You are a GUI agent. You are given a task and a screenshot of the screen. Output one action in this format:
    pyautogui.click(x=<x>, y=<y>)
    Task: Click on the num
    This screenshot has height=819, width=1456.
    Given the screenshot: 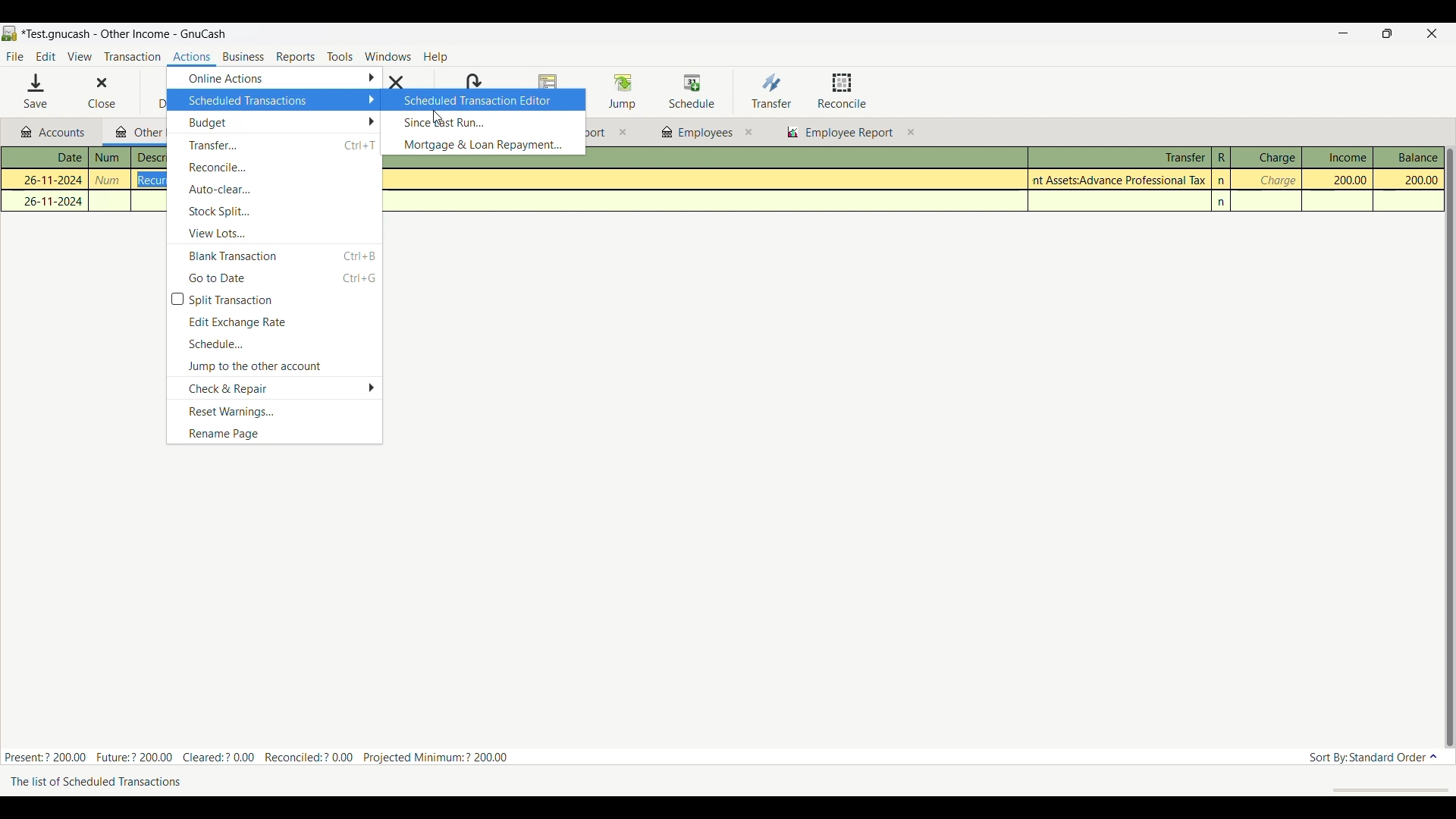 What is the action you would take?
    pyautogui.click(x=109, y=158)
    